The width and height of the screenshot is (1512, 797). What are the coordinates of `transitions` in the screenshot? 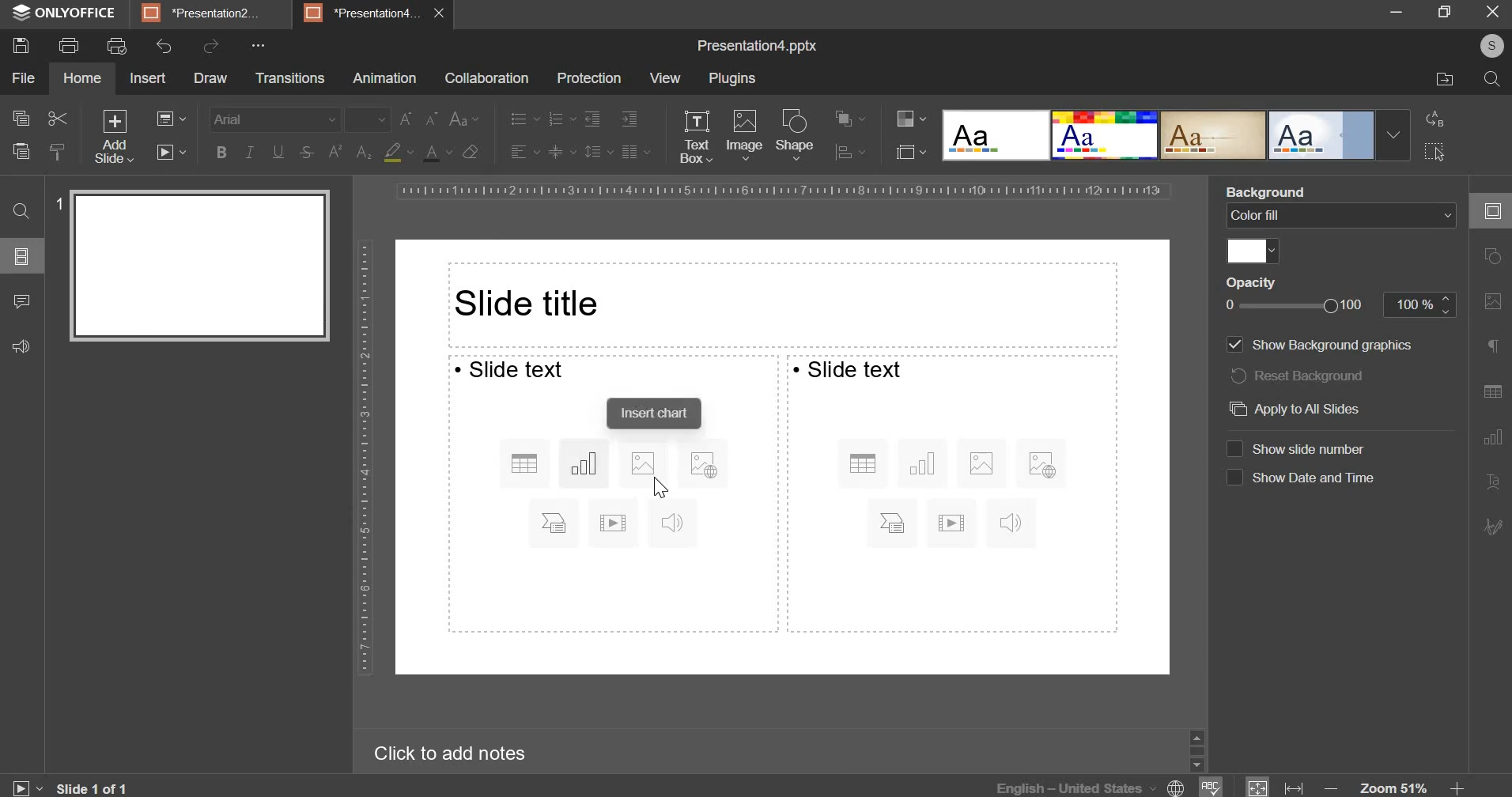 It's located at (291, 78).